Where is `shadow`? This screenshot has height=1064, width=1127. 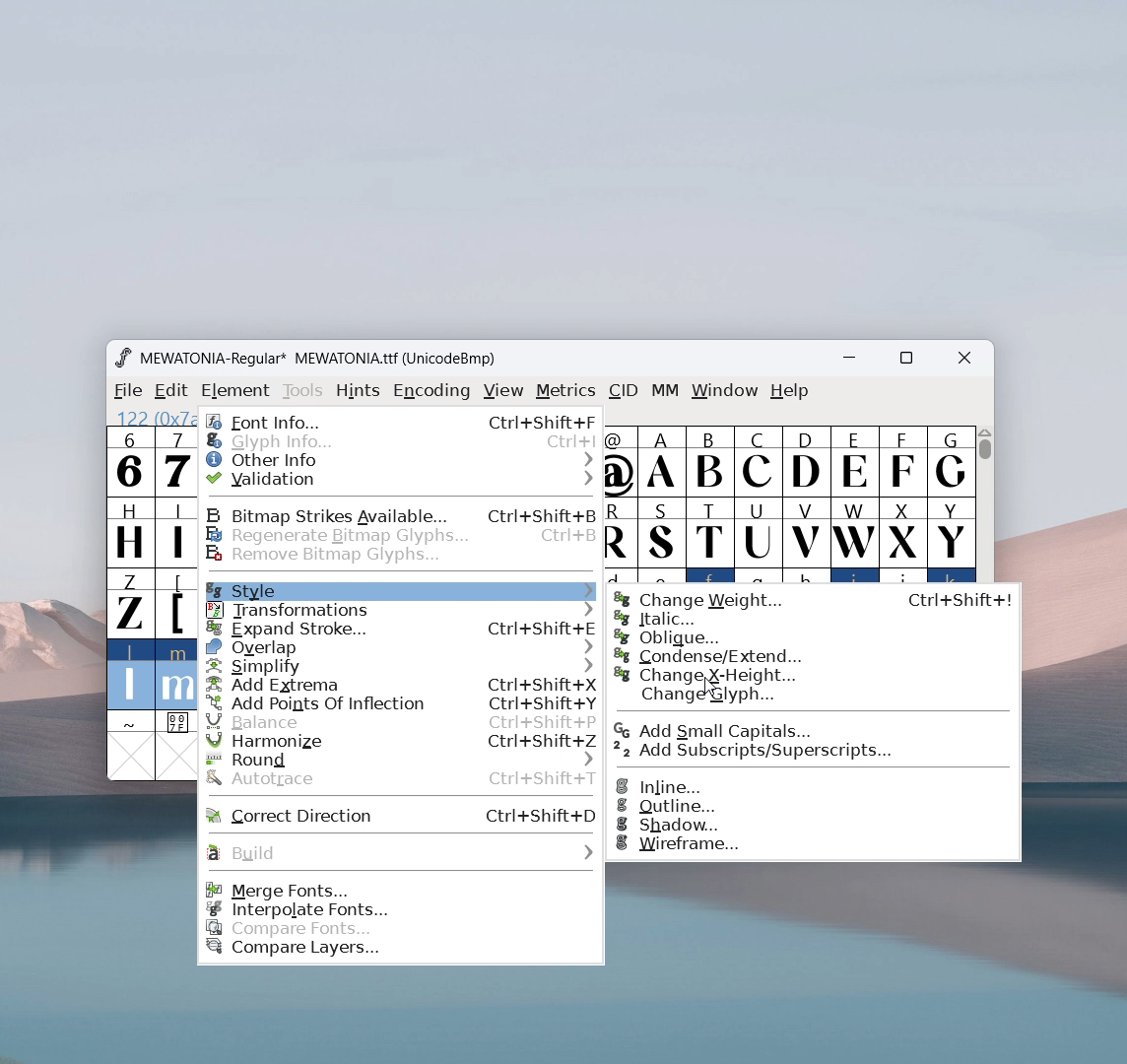
shadow is located at coordinates (815, 825).